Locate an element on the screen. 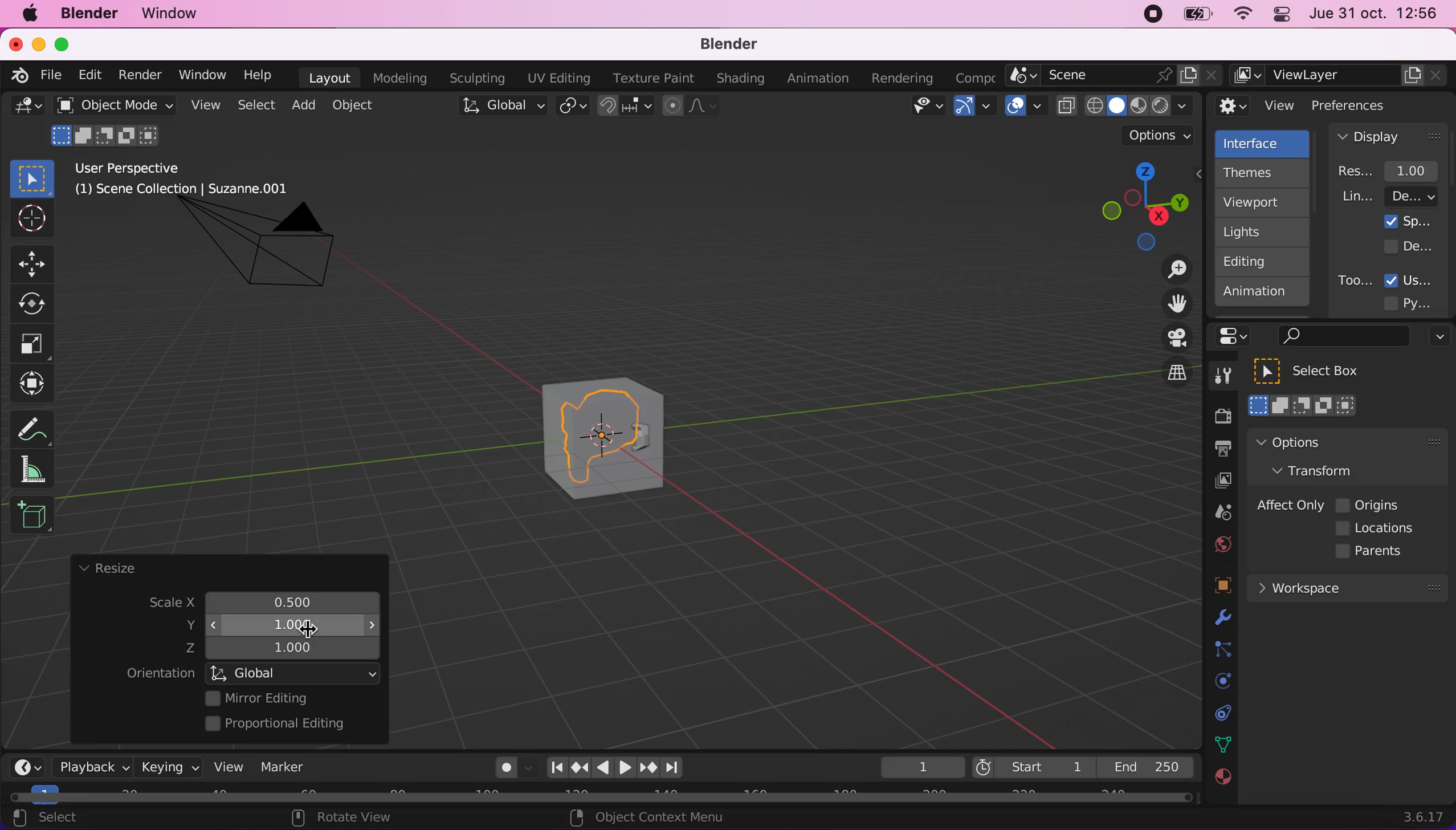  editor type is located at coordinates (23, 758).